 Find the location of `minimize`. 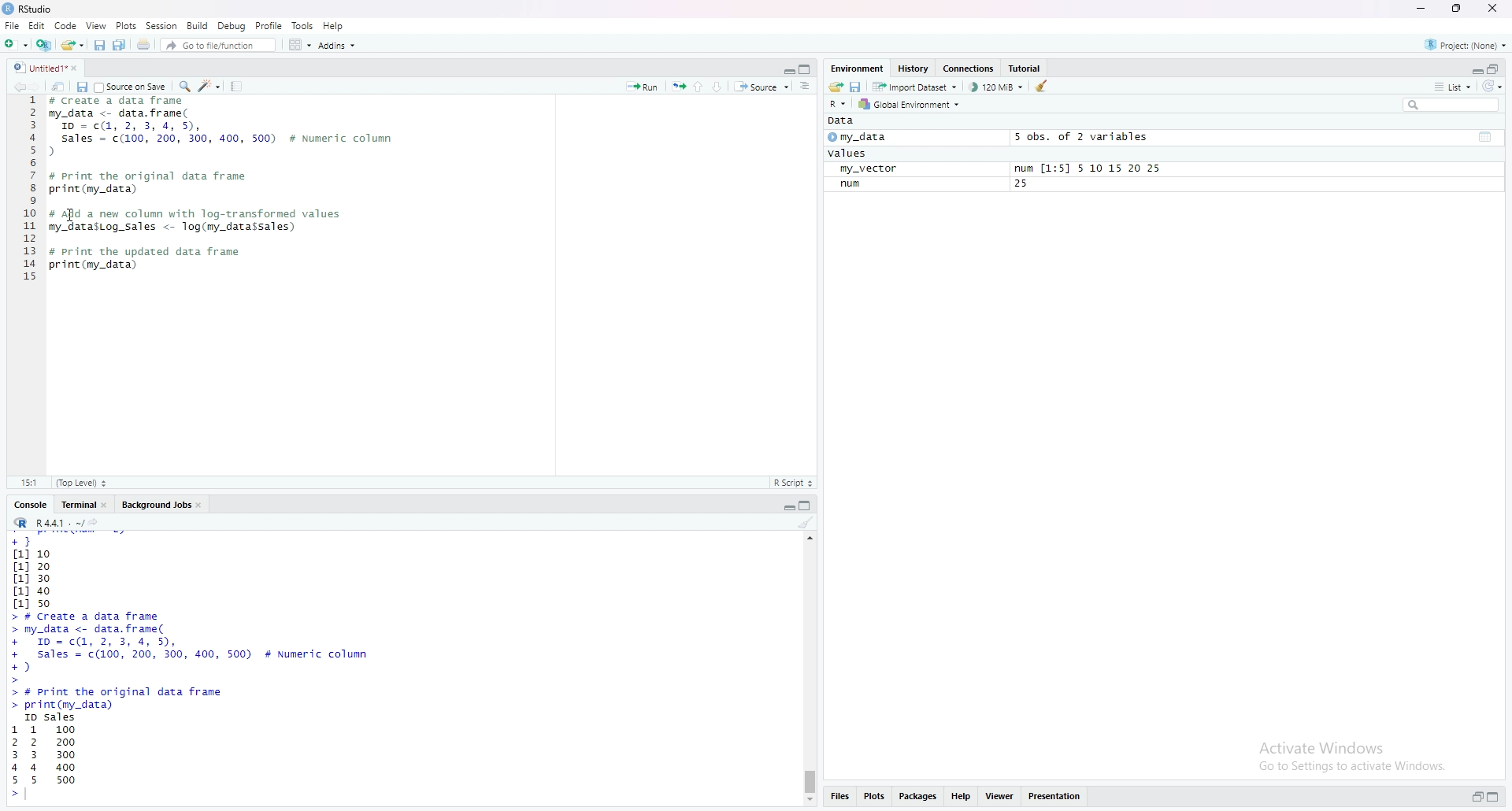

minimize is located at coordinates (1474, 69).